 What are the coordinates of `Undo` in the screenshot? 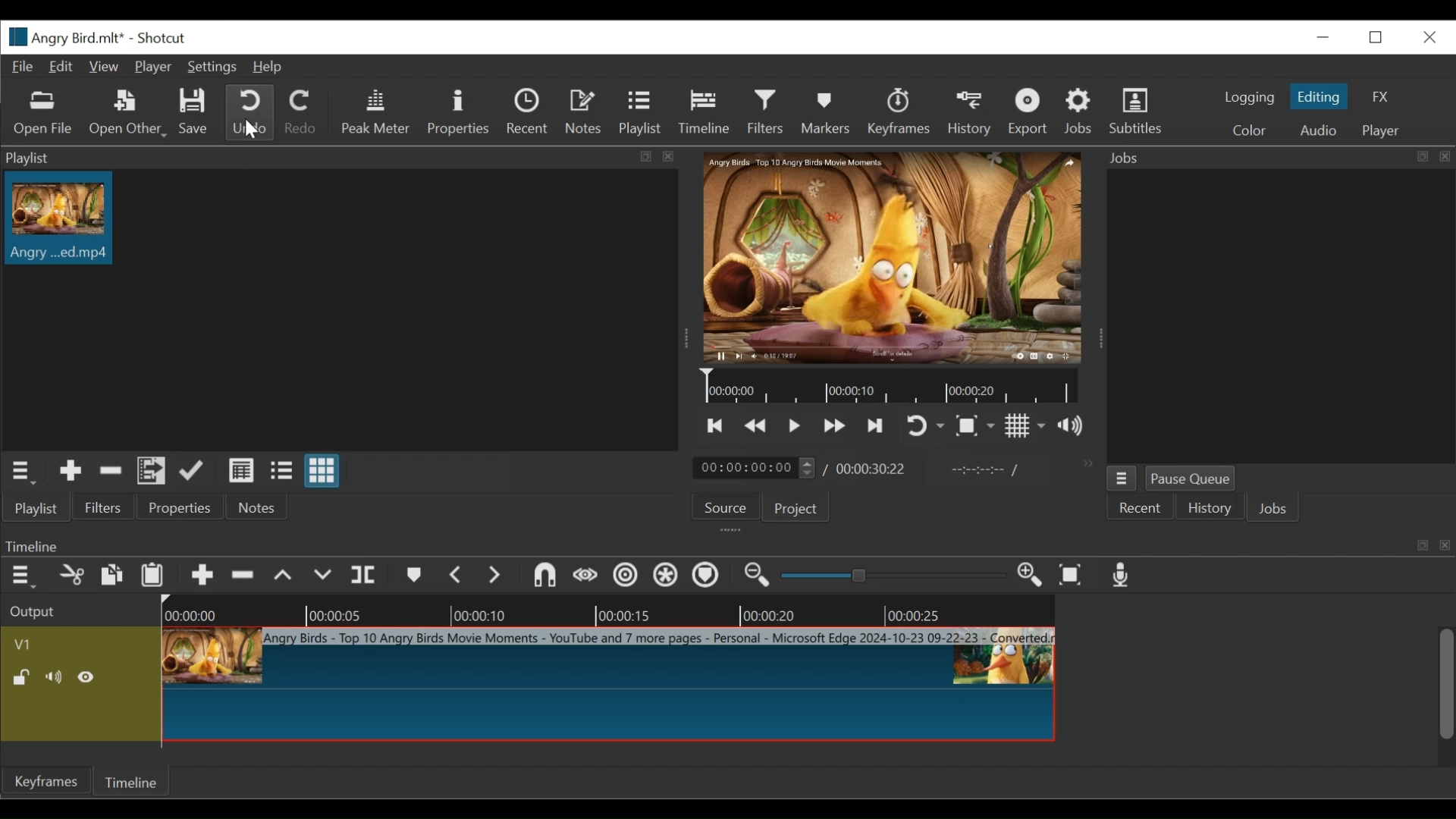 It's located at (253, 112).